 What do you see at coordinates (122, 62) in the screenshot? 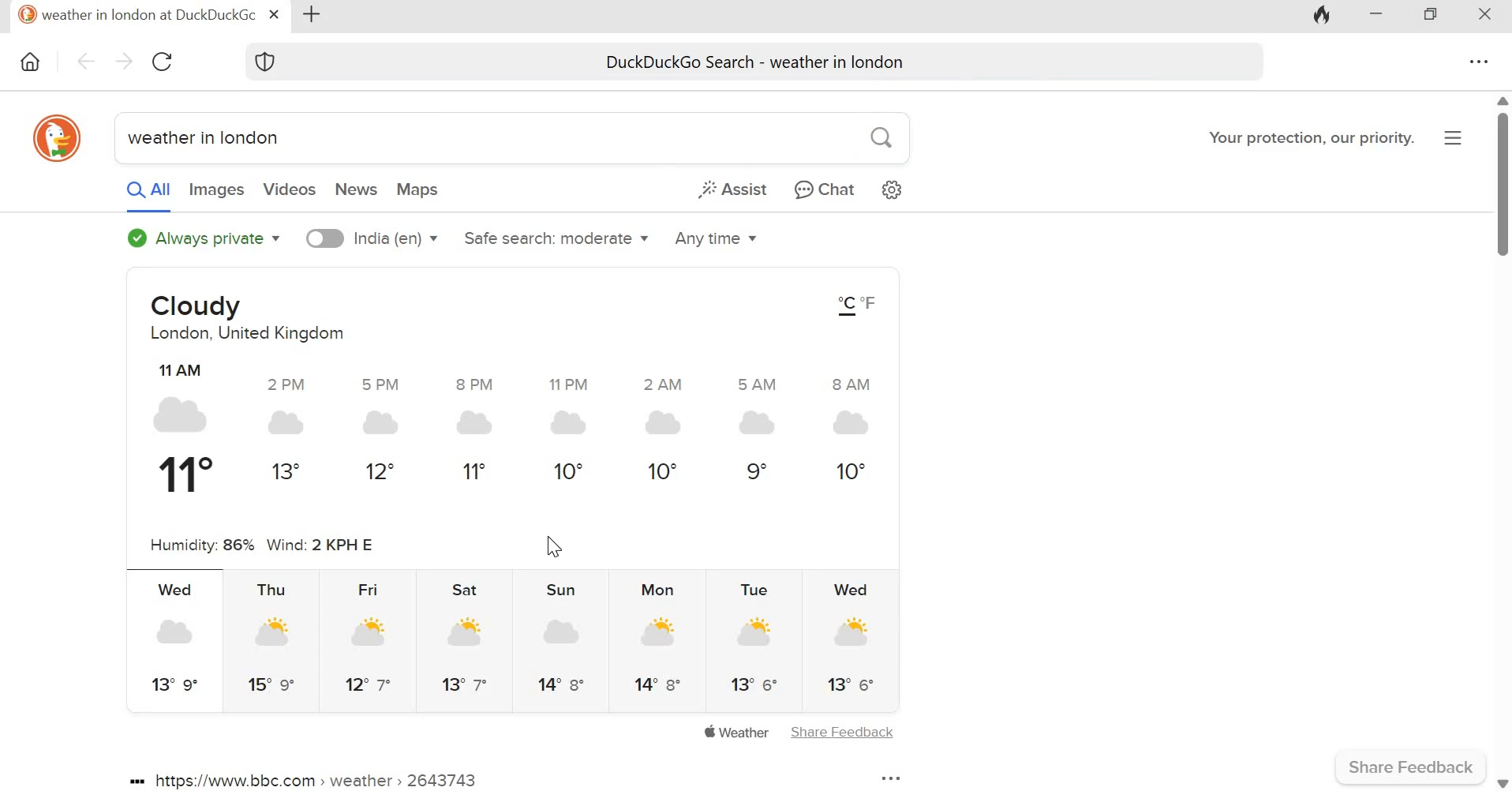
I see `Go forward one pafe` at bounding box center [122, 62].